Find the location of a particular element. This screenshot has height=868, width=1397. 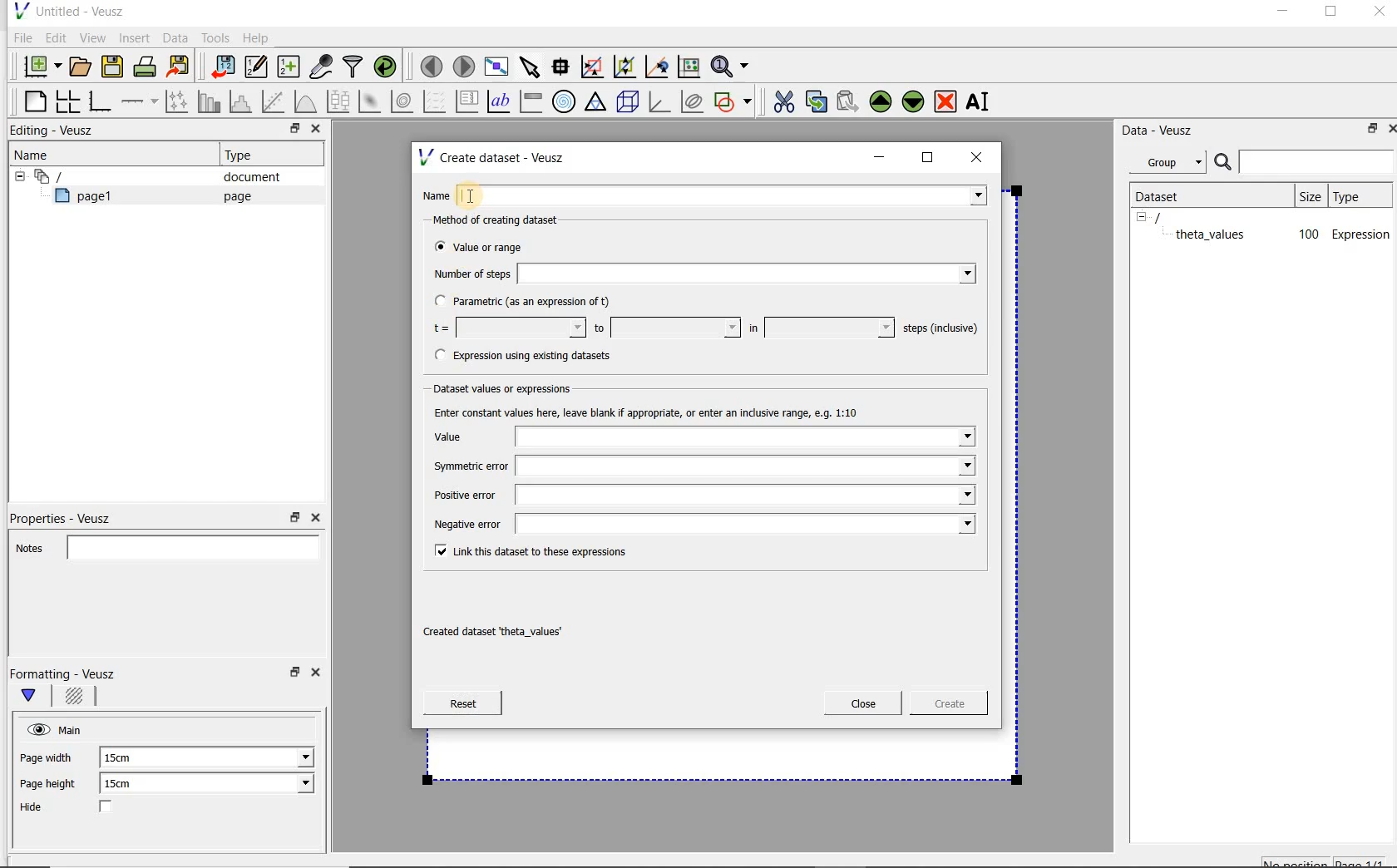

Formatting - Veusz is located at coordinates (65, 673).